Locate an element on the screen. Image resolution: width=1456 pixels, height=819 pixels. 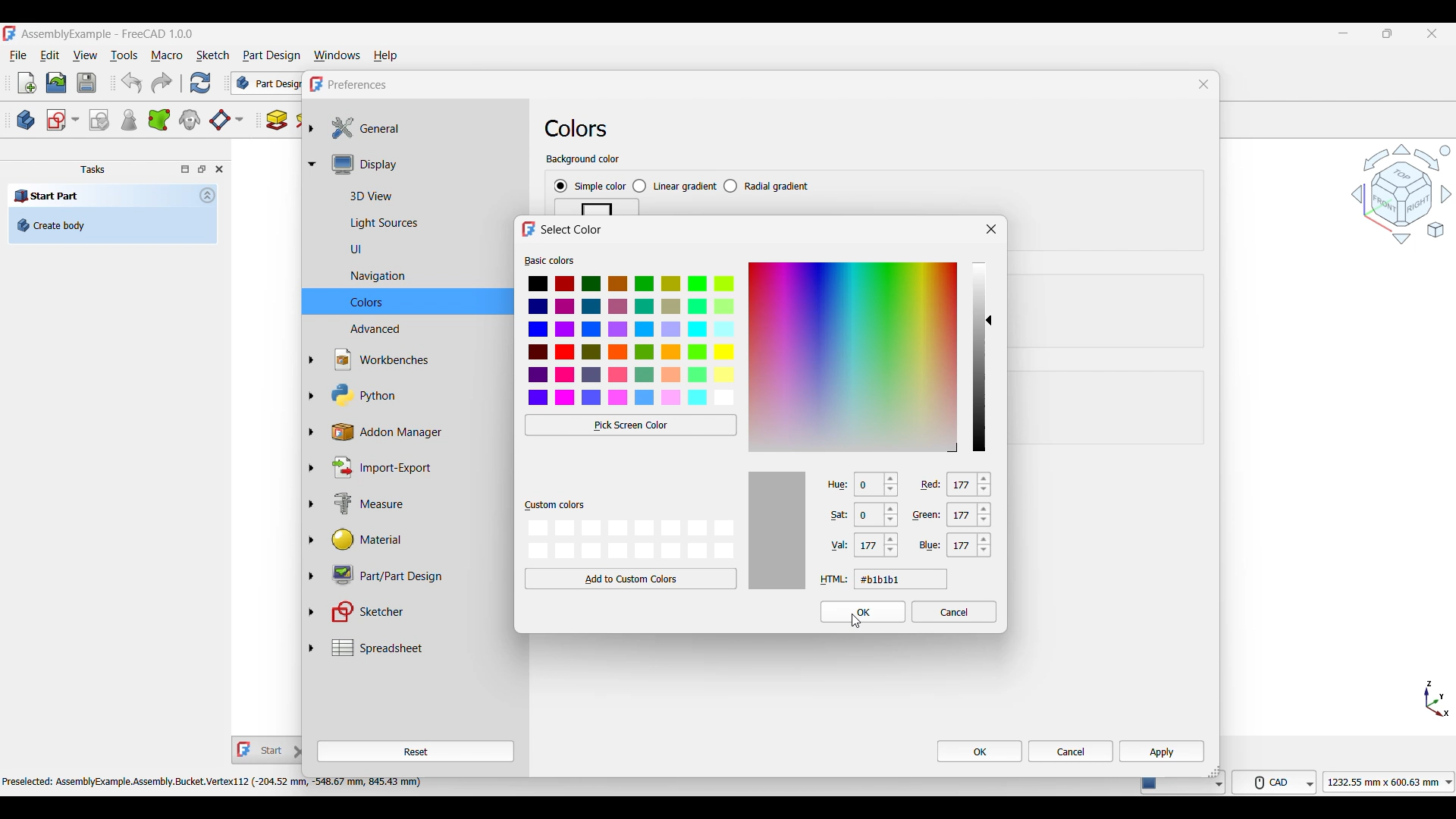
CAD is located at coordinates (1277, 781).